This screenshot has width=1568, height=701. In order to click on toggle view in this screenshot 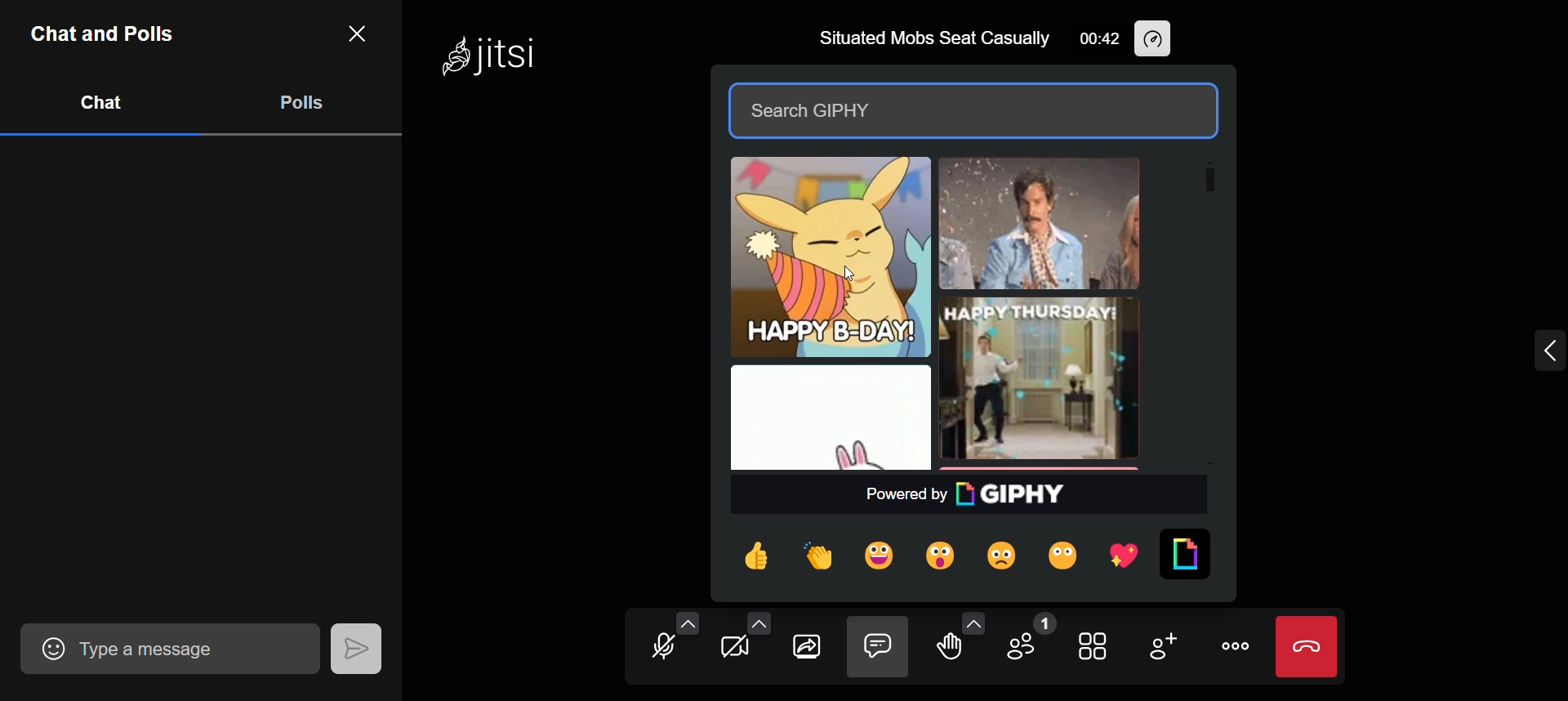, I will do `click(1089, 642)`.